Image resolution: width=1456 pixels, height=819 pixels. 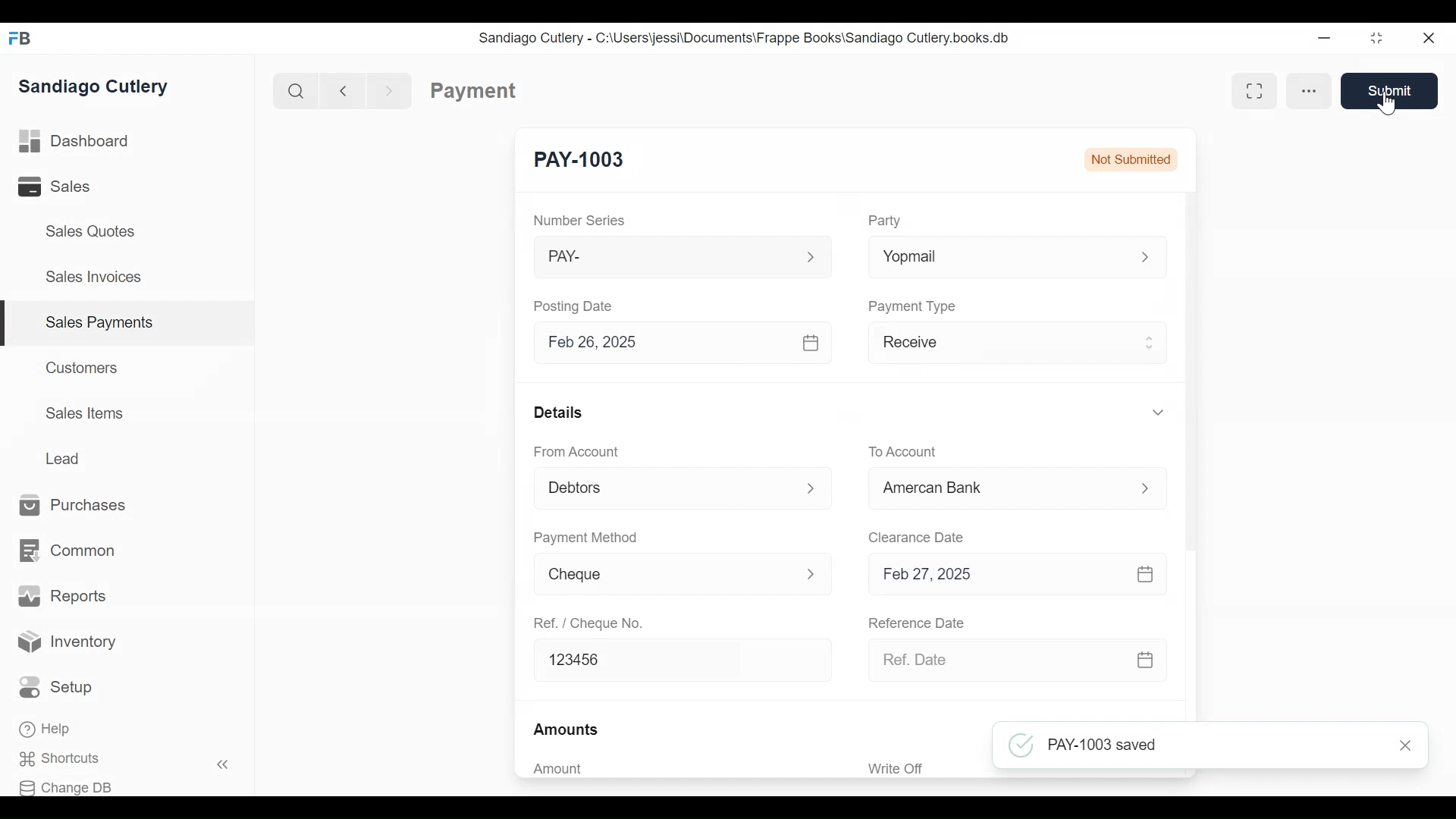 What do you see at coordinates (665, 487) in the screenshot?
I see `Debtors` at bounding box center [665, 487].